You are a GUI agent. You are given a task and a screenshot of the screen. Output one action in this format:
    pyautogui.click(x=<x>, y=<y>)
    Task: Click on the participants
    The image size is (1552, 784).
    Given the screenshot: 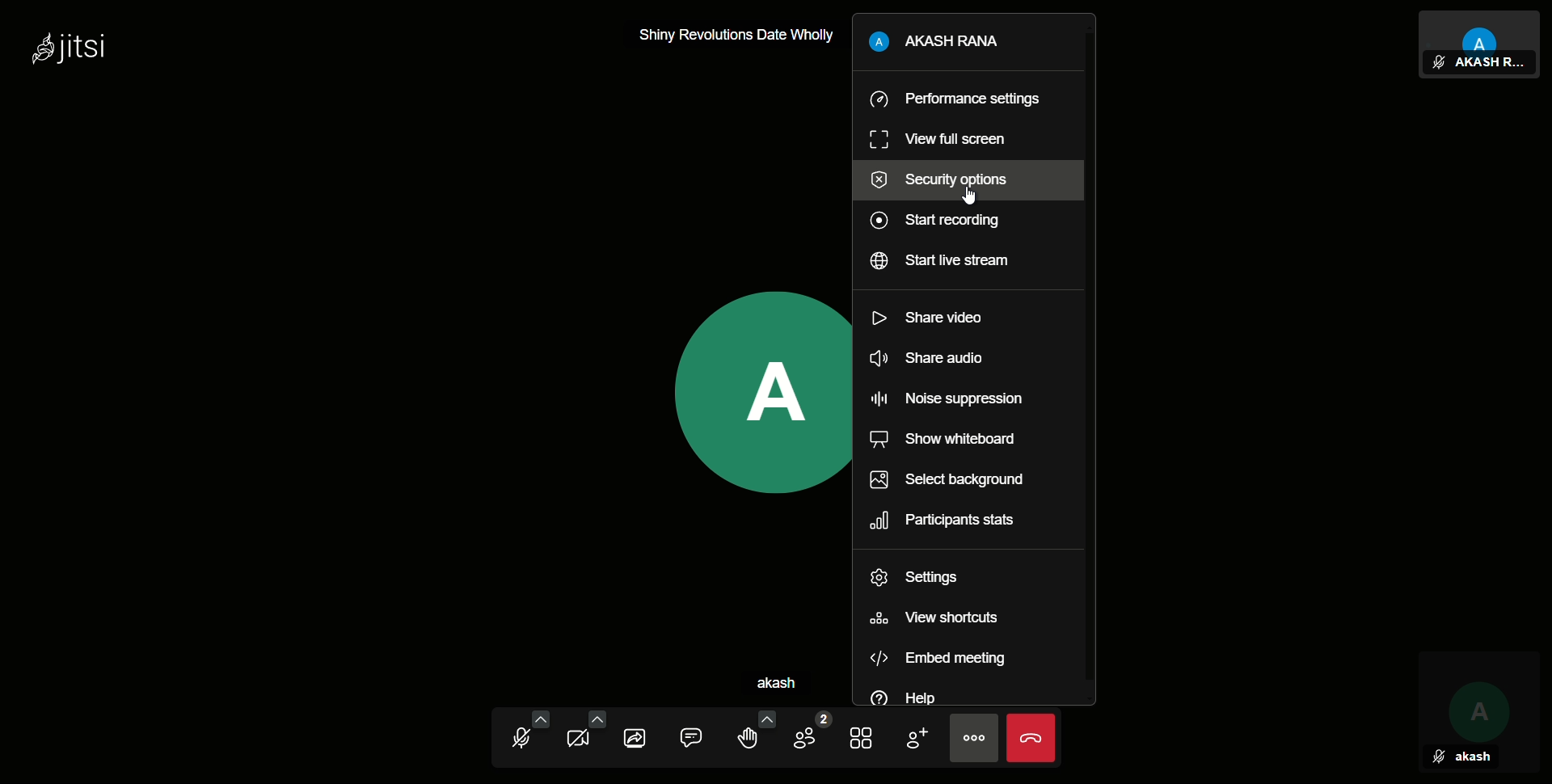 What is the action you would take?
    pyautogui.click(x=808, y=735)
    